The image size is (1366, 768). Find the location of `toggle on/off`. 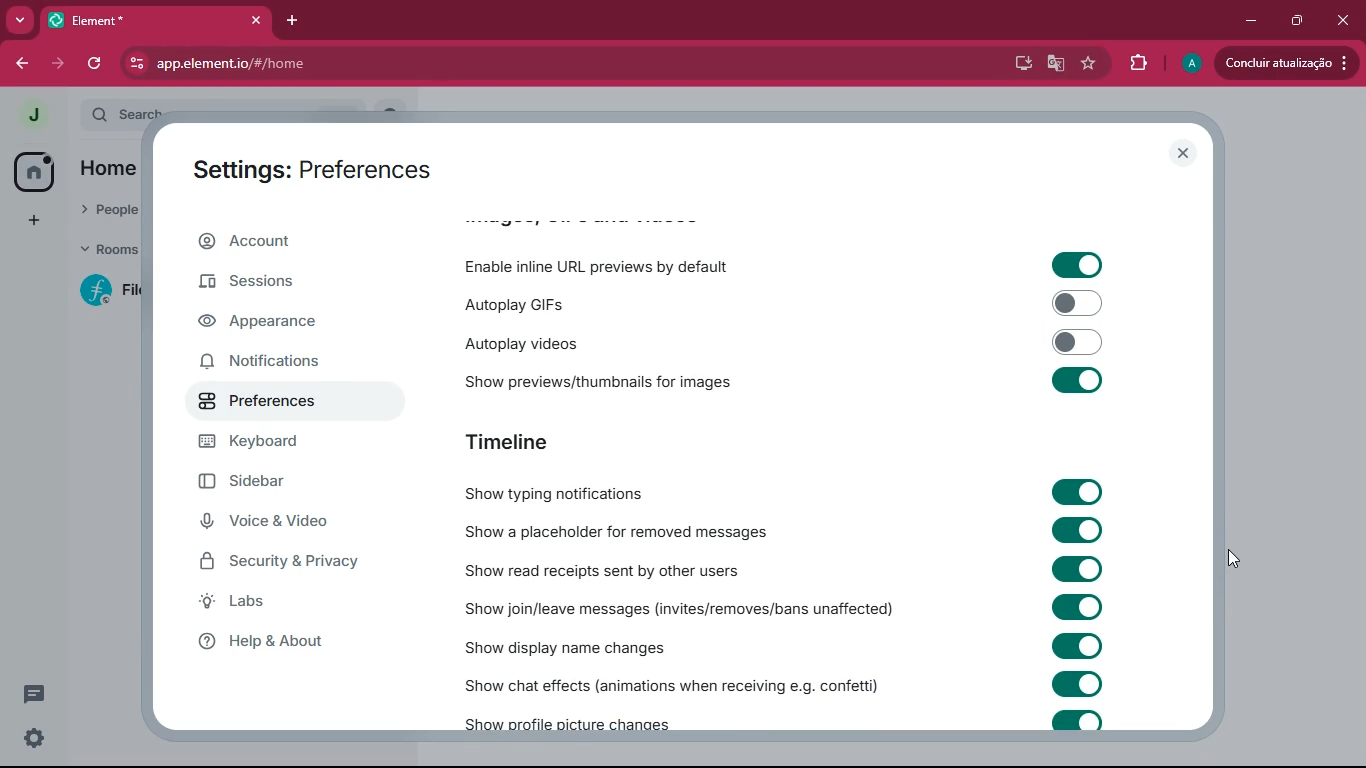

toggle on/off is located at coordinates (1079, 380).